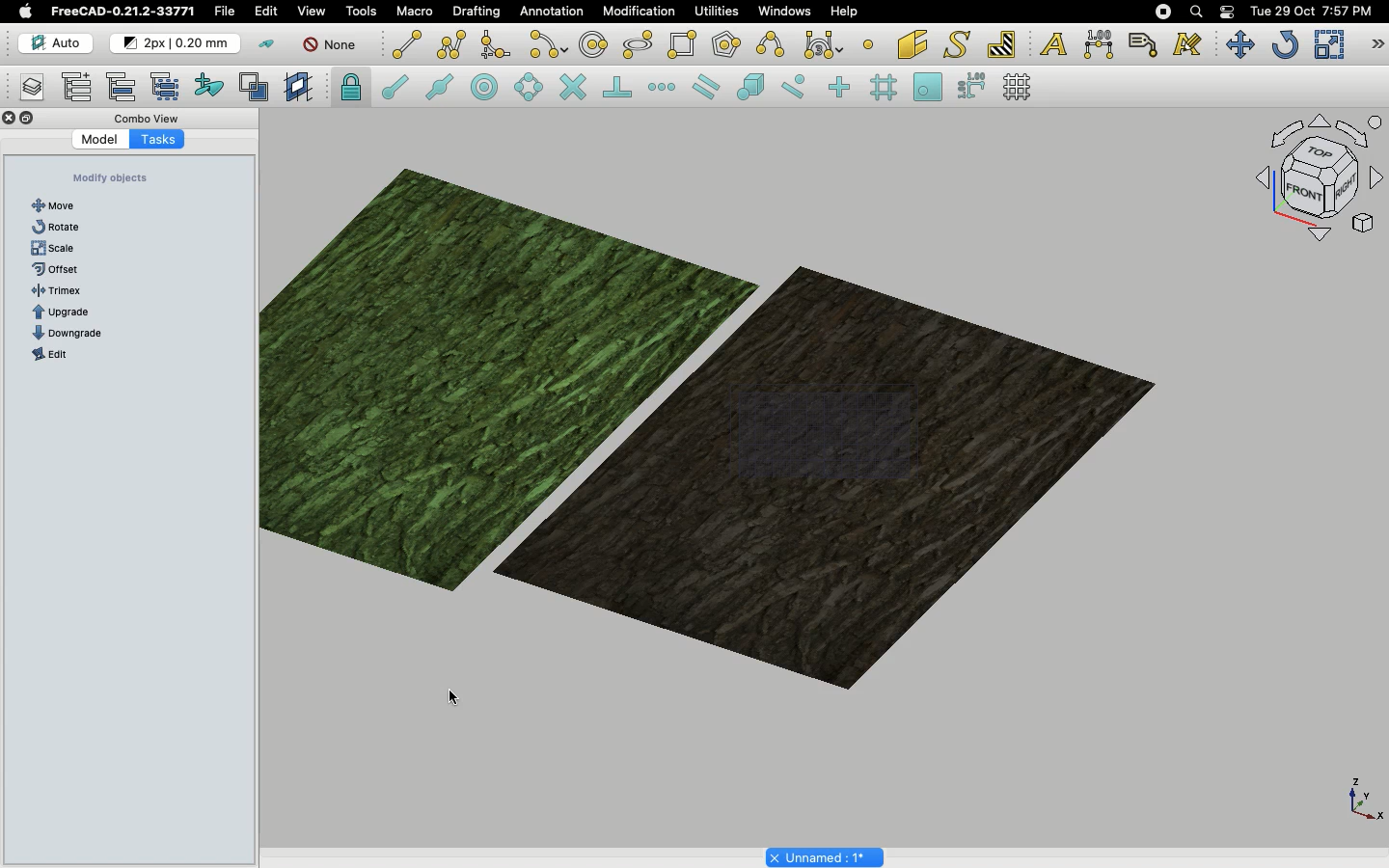 This screenshot has height=868, width=1389. Describe the element at coordinates (868, 42) in the screenshot. I see `Point` at that location.